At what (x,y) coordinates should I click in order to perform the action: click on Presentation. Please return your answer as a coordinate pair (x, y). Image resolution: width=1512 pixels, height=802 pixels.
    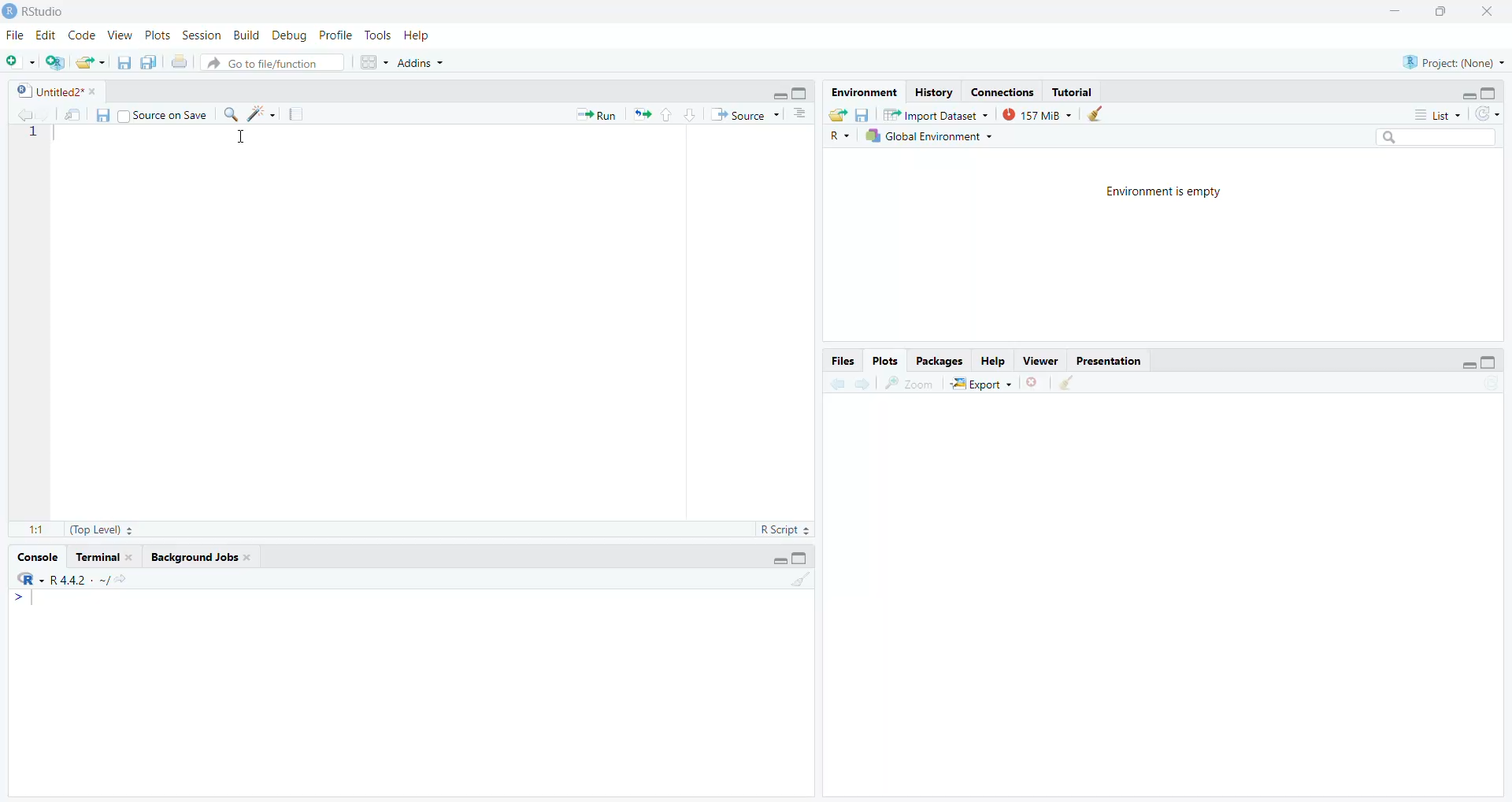
    Looking at the image, I should click on (1110, 360).